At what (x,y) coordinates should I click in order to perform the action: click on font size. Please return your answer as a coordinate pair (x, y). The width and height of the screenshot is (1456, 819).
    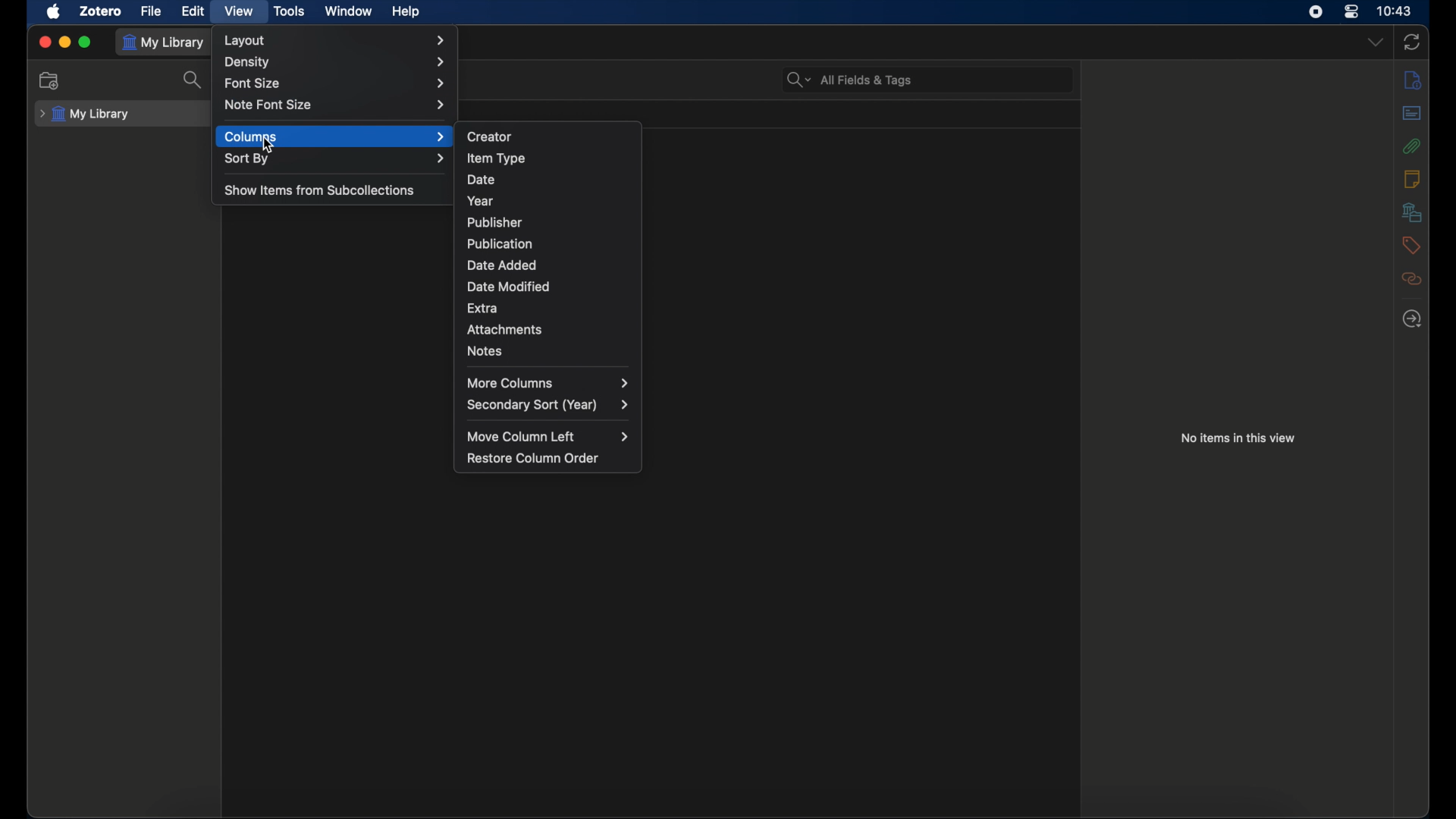
    Looking at the image, I should click on (335, 84).